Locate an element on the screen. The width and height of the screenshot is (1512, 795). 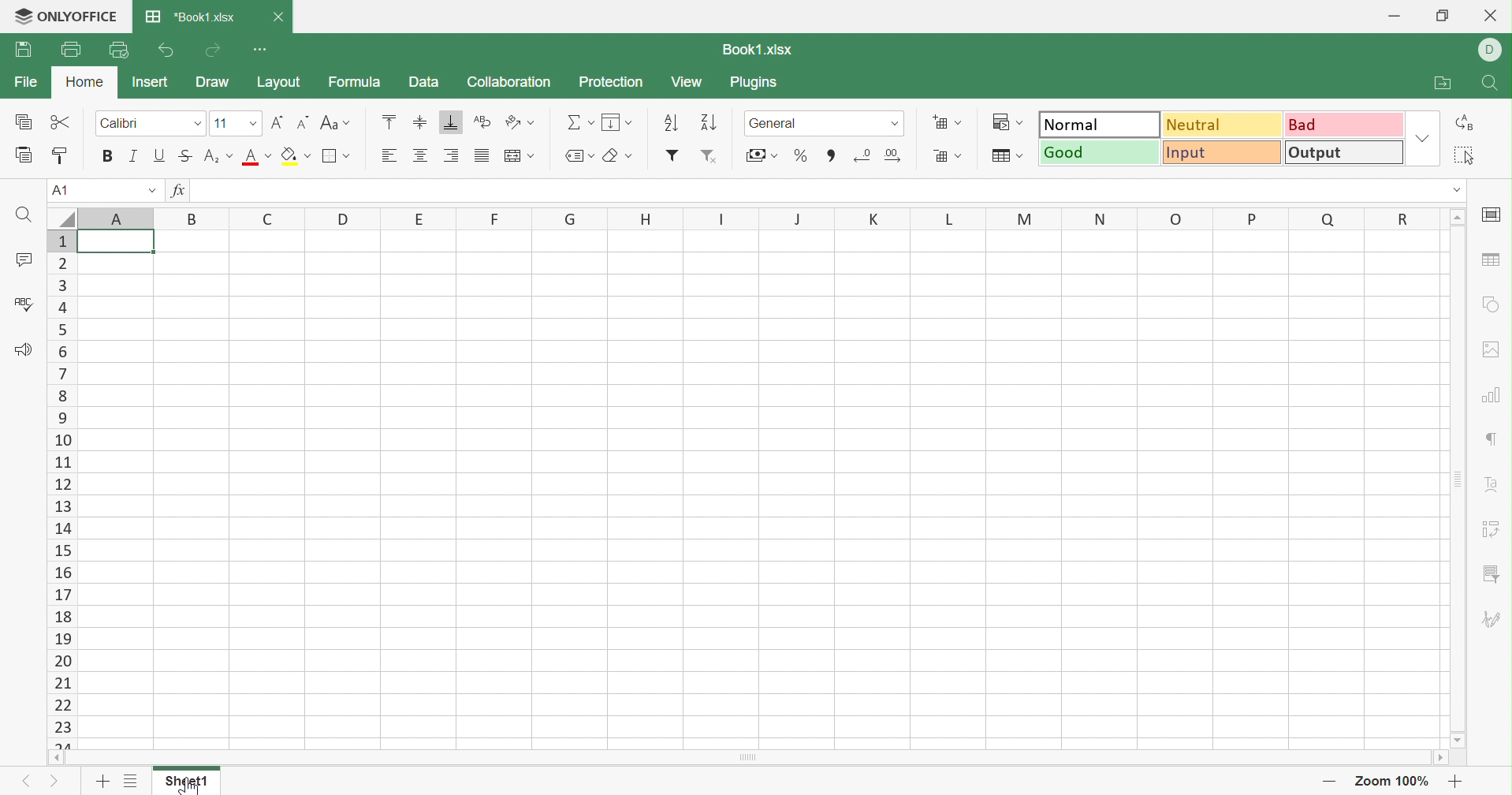
Align Right is located at coordinates (452, 157).